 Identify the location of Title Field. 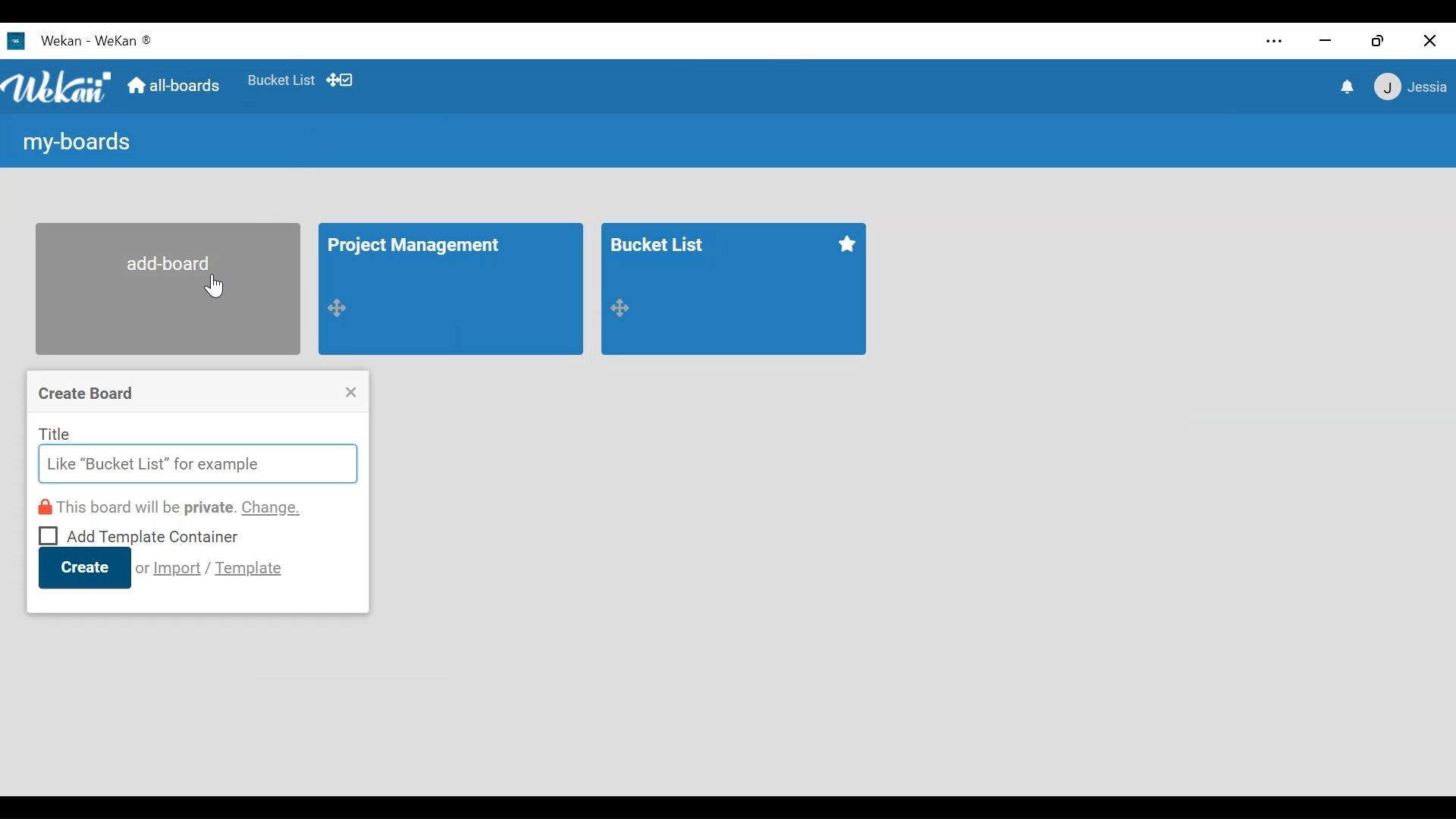
(196, 465).